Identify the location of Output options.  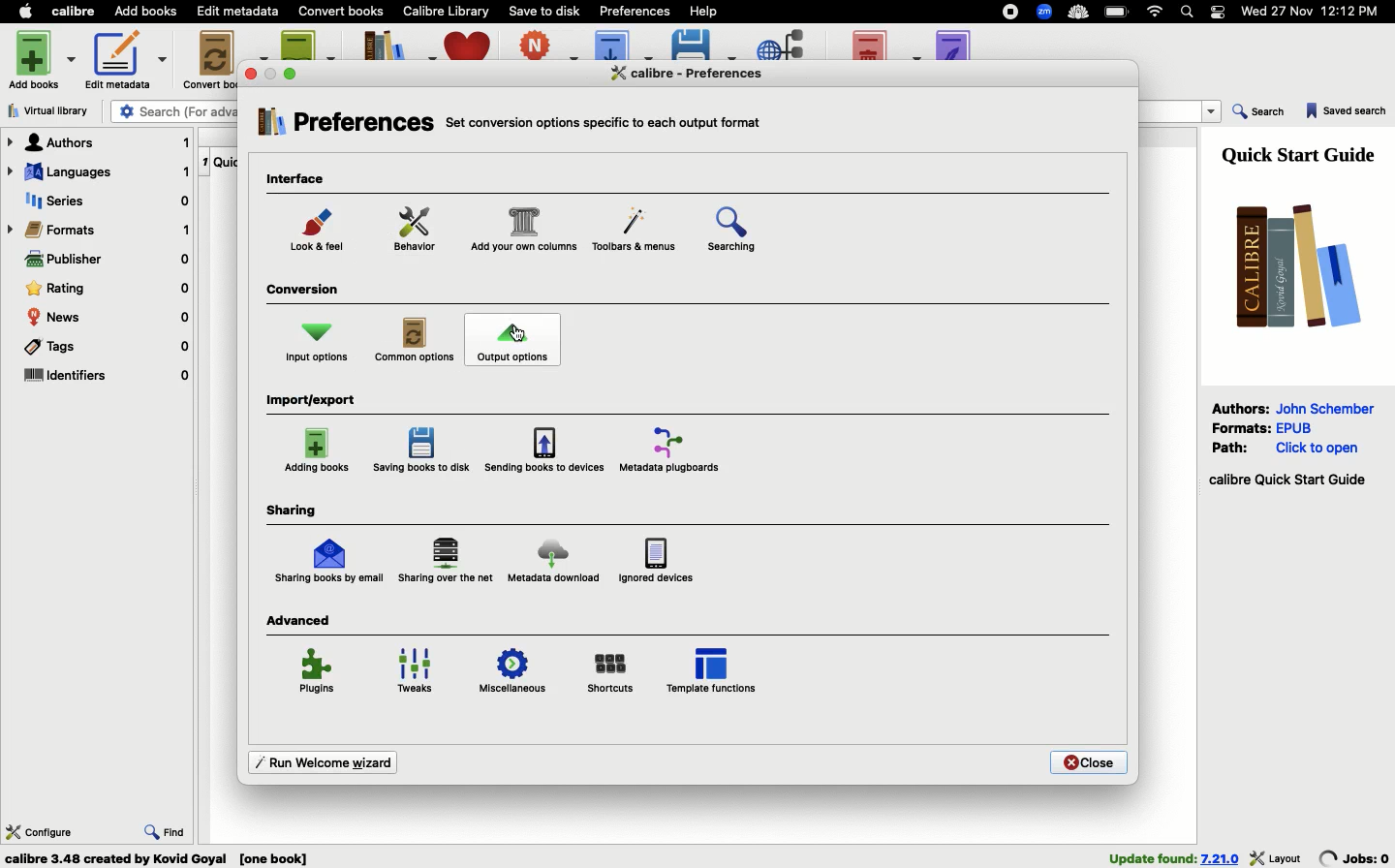
(513, 341).